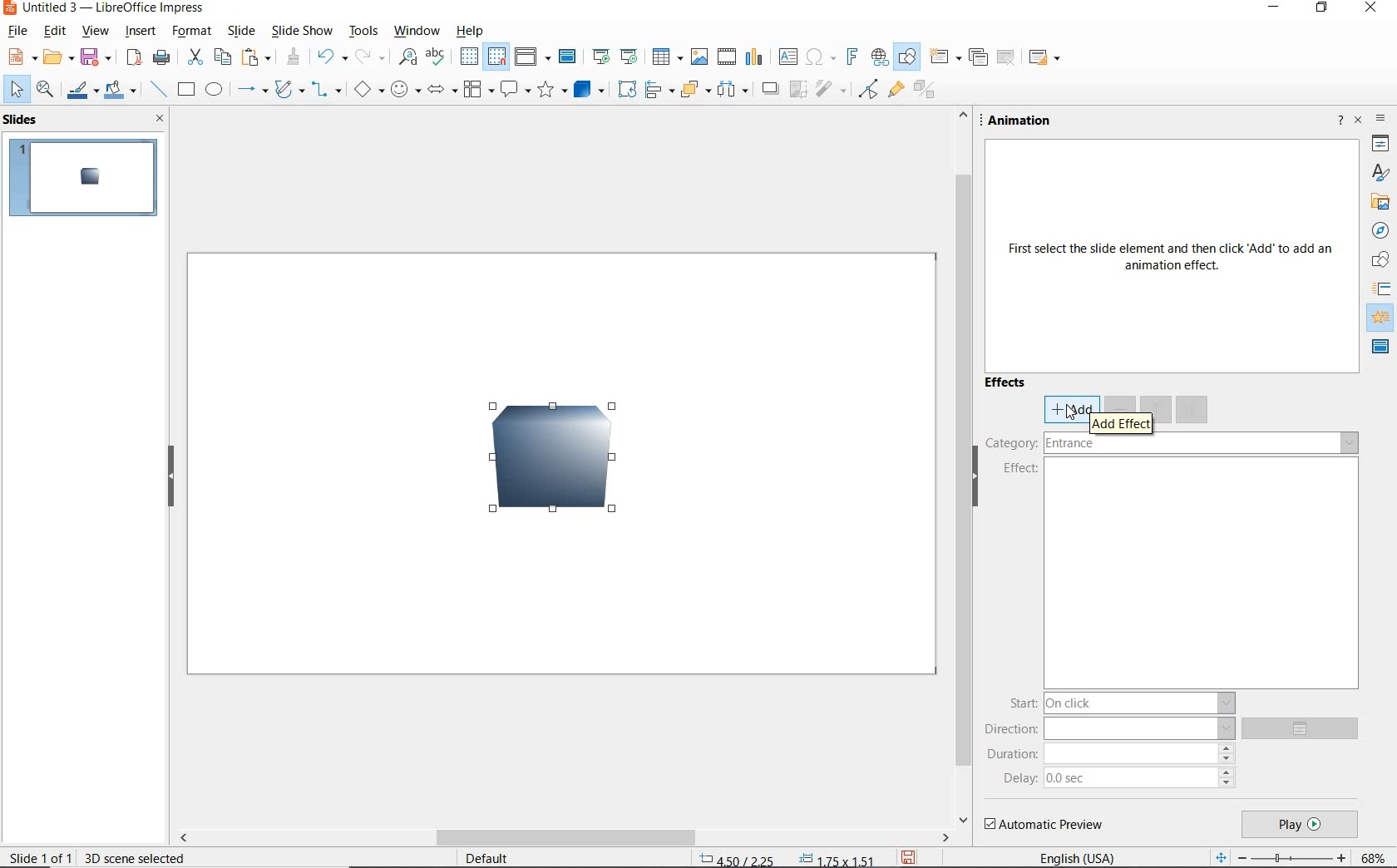  I want to click on spelling, so click(435, 57).